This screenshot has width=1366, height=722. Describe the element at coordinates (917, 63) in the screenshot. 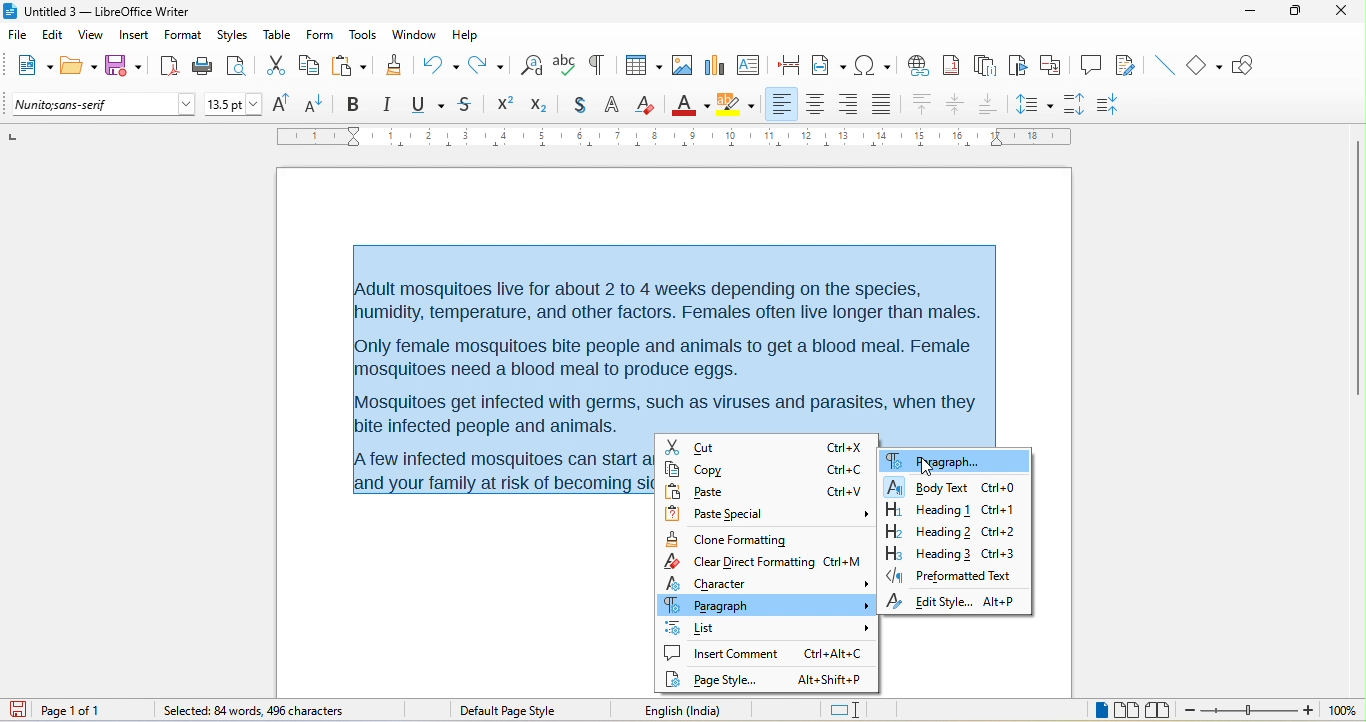

I see `hyperlink` at that location.